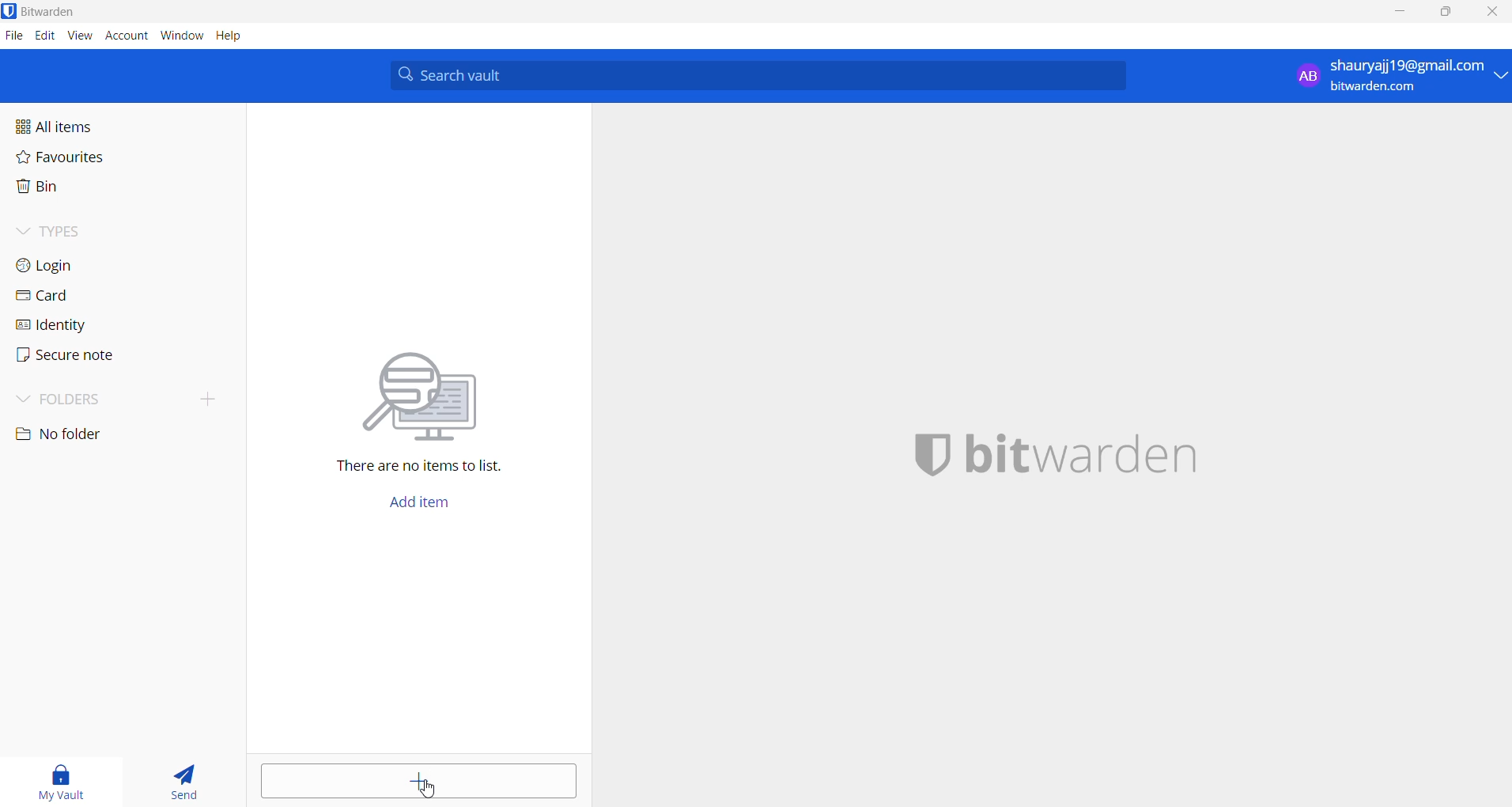  I want to click on identity, so click(60, 324).